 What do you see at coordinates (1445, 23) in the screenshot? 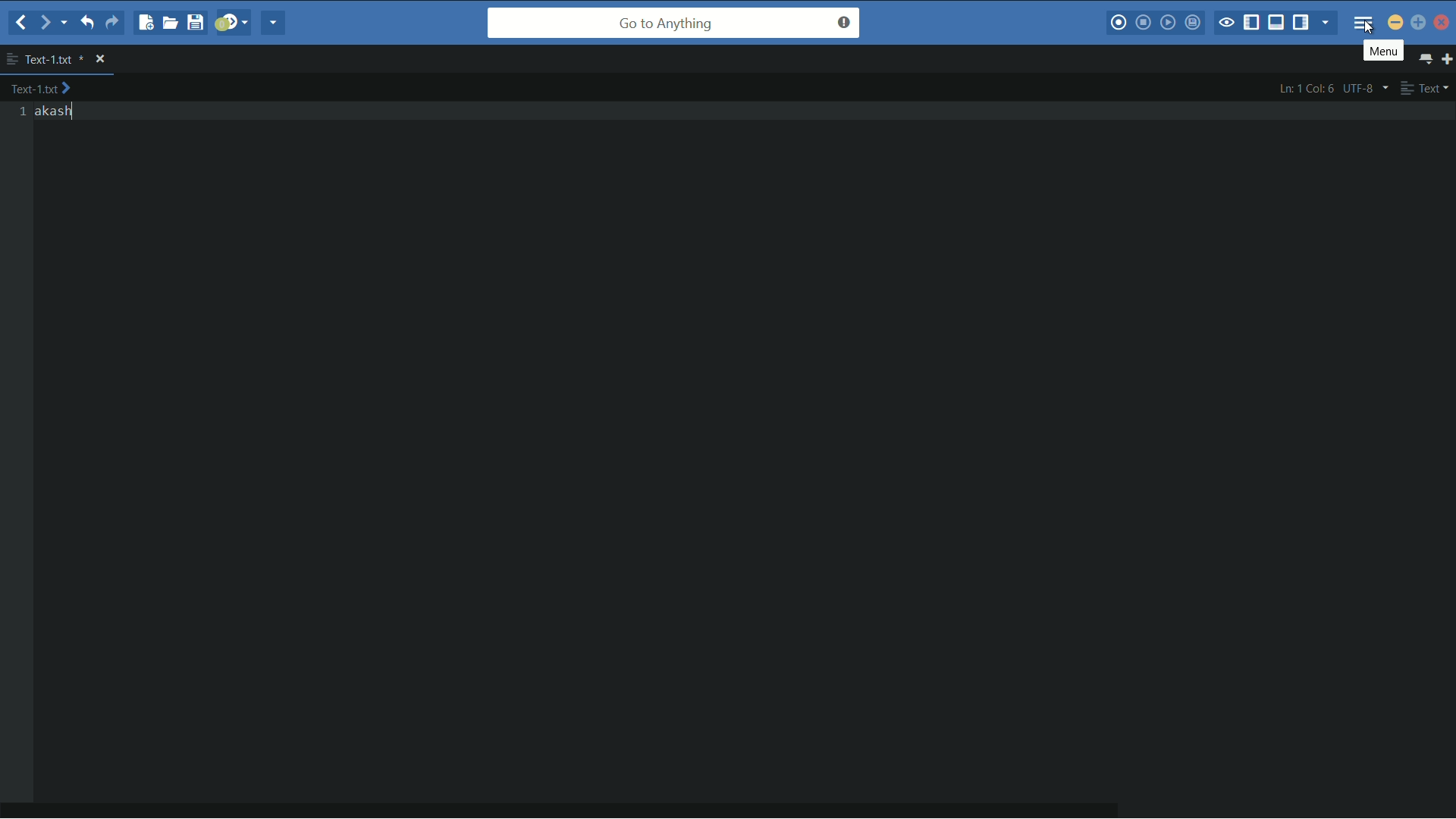
I see `close app` at bounding box center [1445, 23].